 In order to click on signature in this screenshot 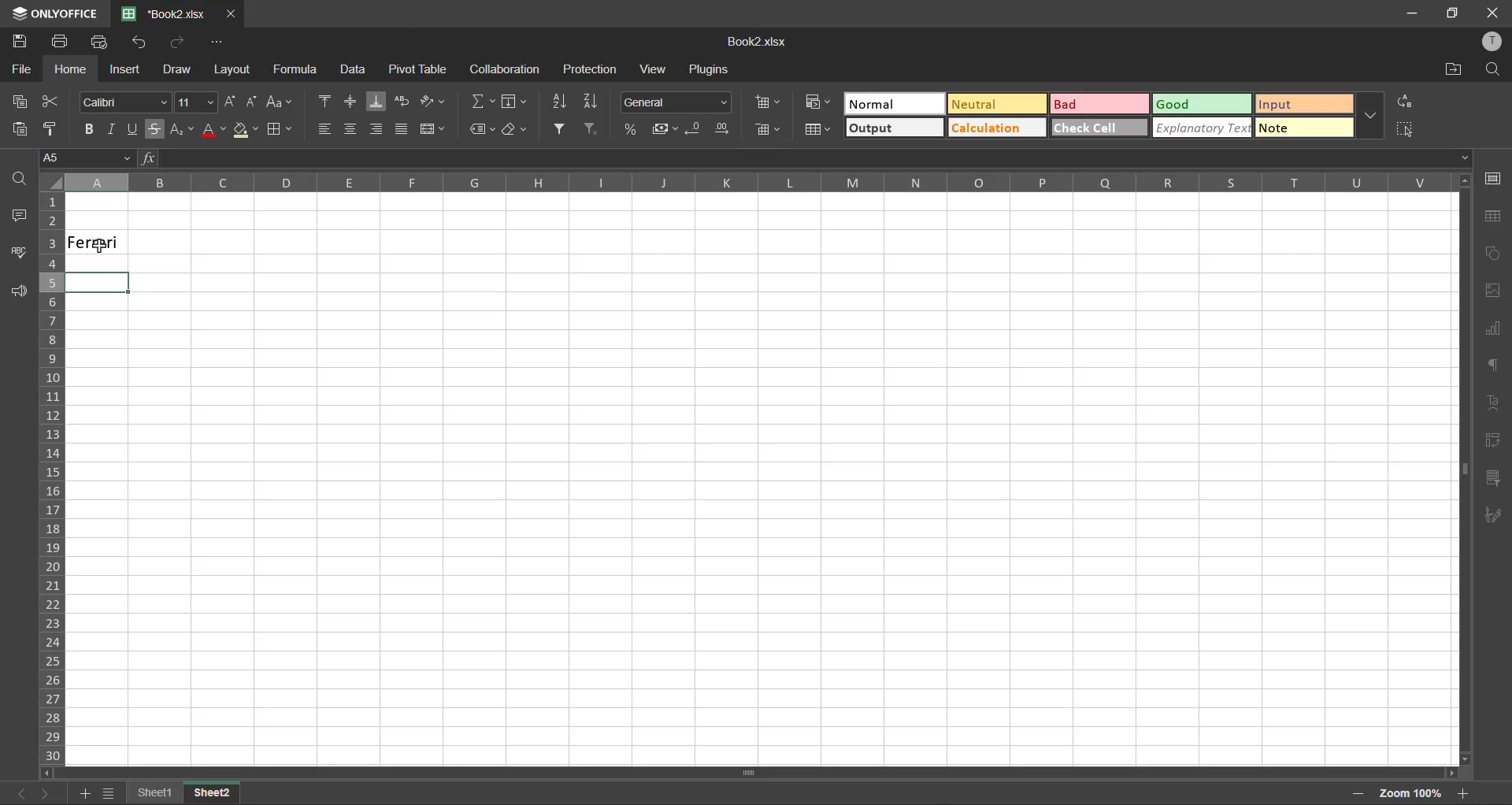, I will do `click(1495, 516)`.